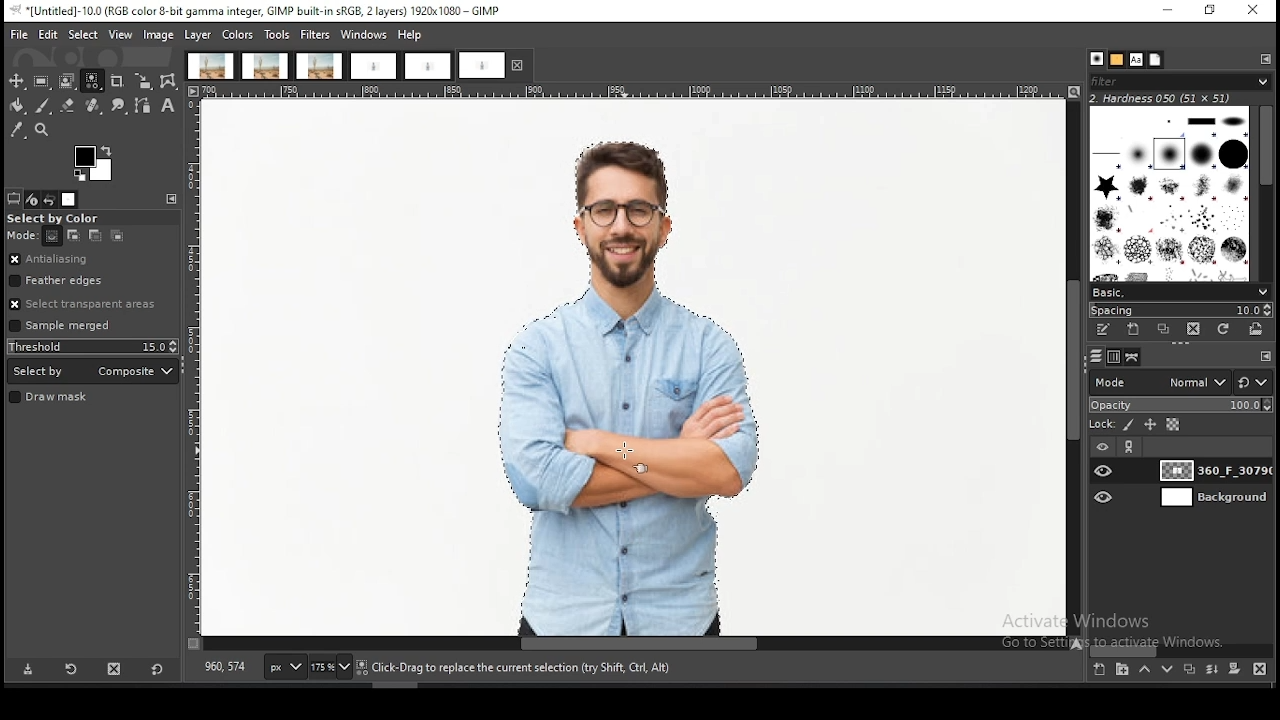 This screenshot has width=1280, height=720. I want to click on subtract from the current selection, so click(94, 236).